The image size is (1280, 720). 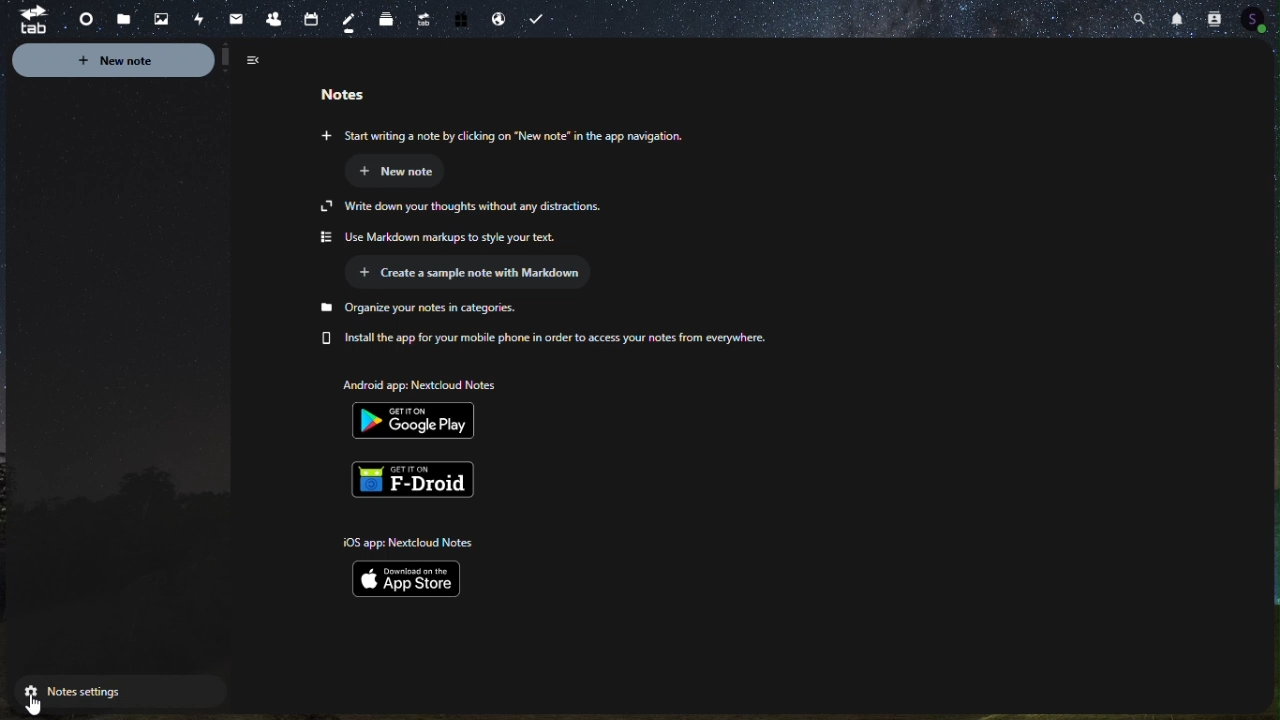 What do you see at coordinates (1263, 19) in the screenshot?
I see `Profile` at bounding box center [1263, 19].